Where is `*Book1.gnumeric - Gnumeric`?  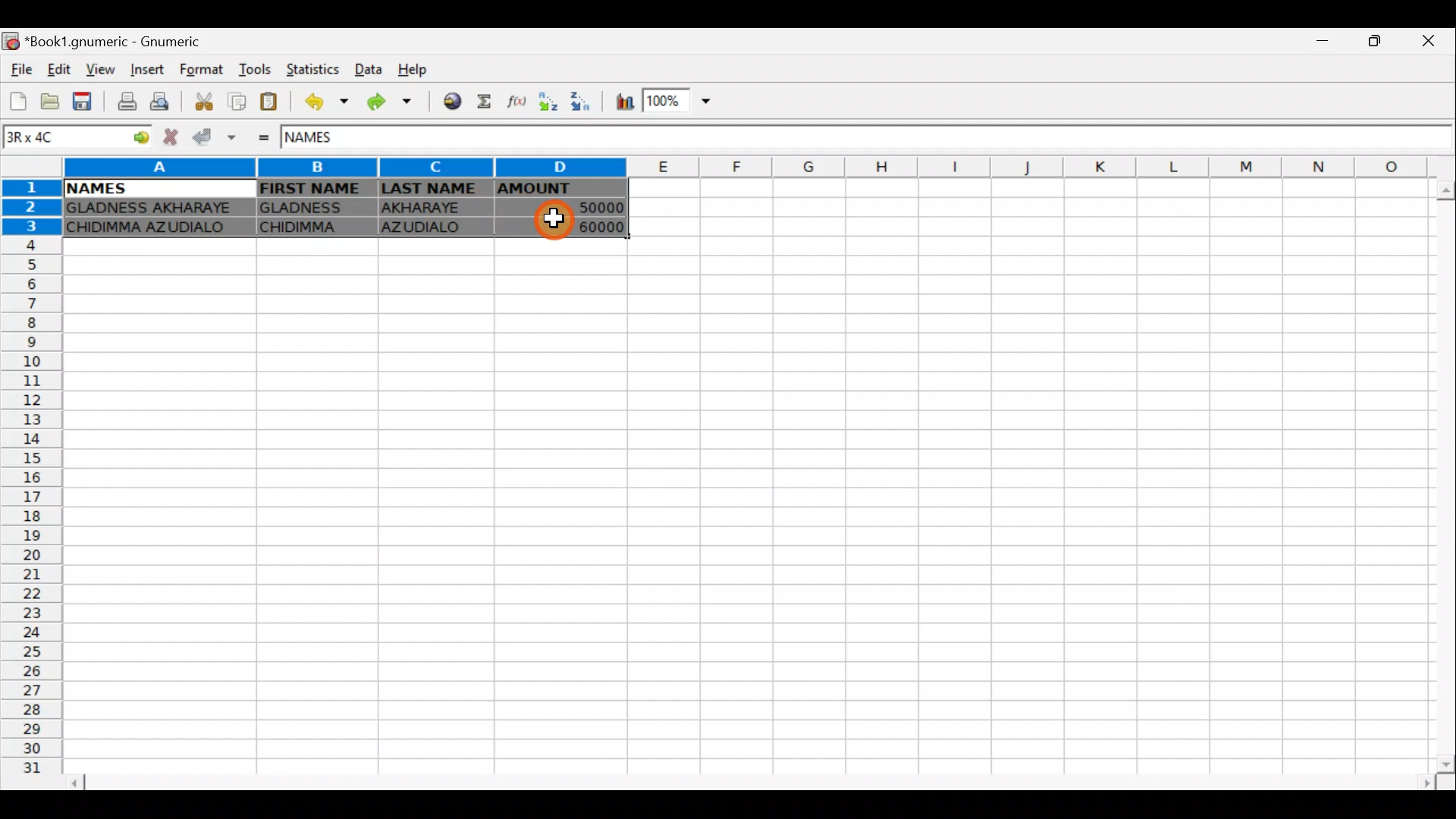 *Book1.gnumeric - Gnumeric is located at coordinates (122, 42).